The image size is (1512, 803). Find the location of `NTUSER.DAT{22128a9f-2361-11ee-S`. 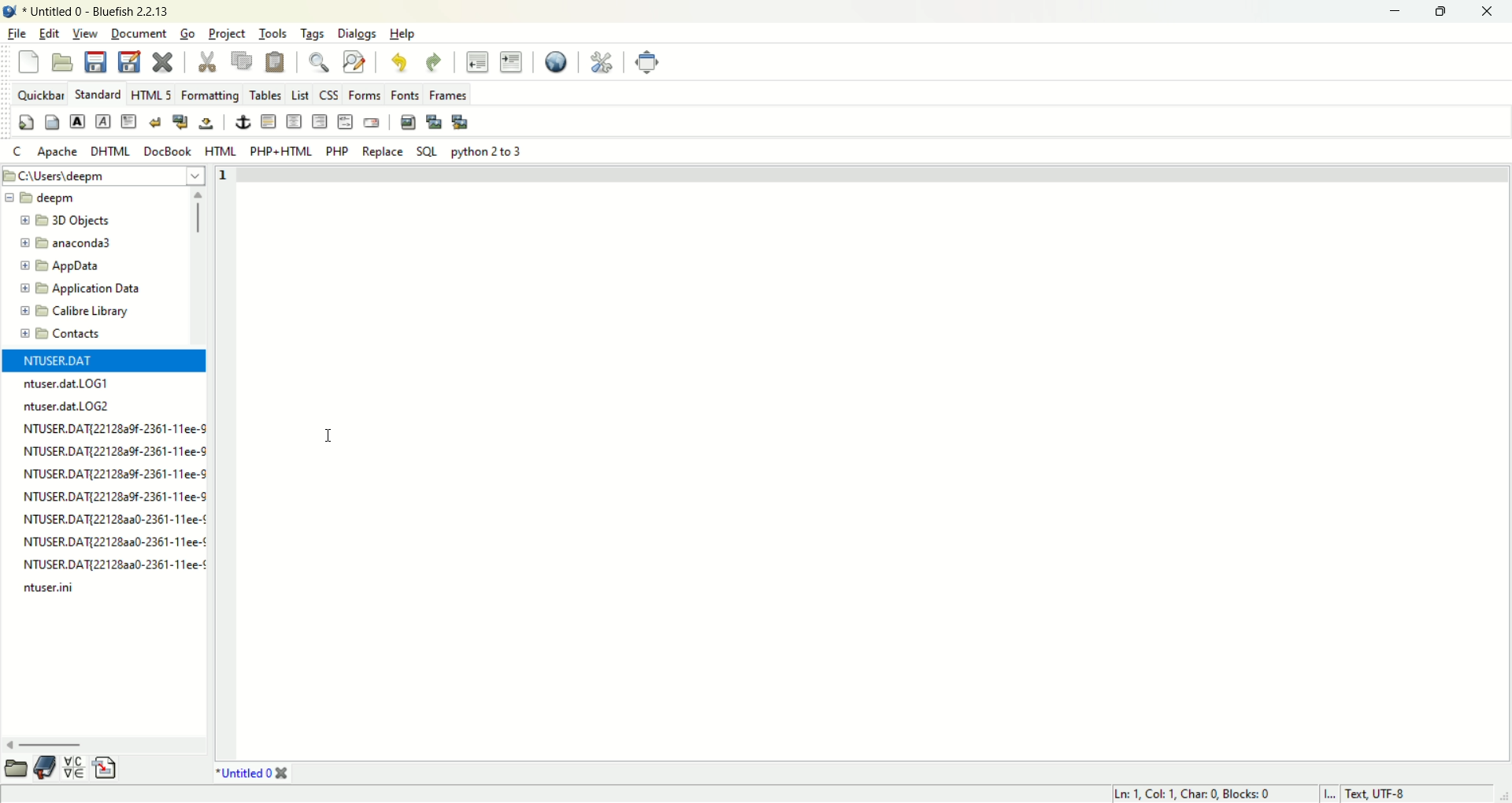

NTUSER.DAT{22128a9f-2361-11ee-S is located at coordinates (113, 495).